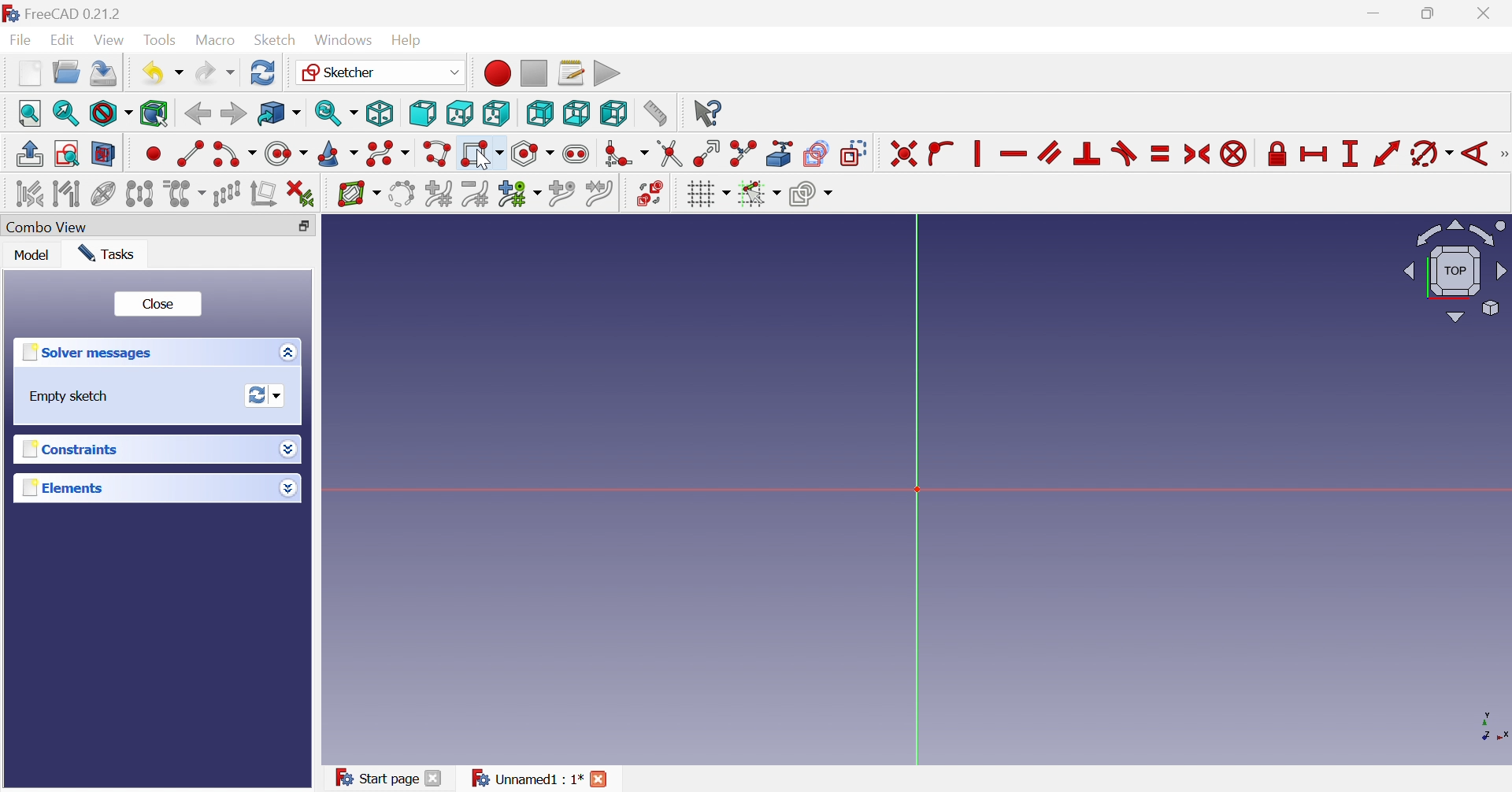  What do you see at coordinates (64, 113) in the screenshot?
I see `Fit selection` at bounding box center [64, 113].